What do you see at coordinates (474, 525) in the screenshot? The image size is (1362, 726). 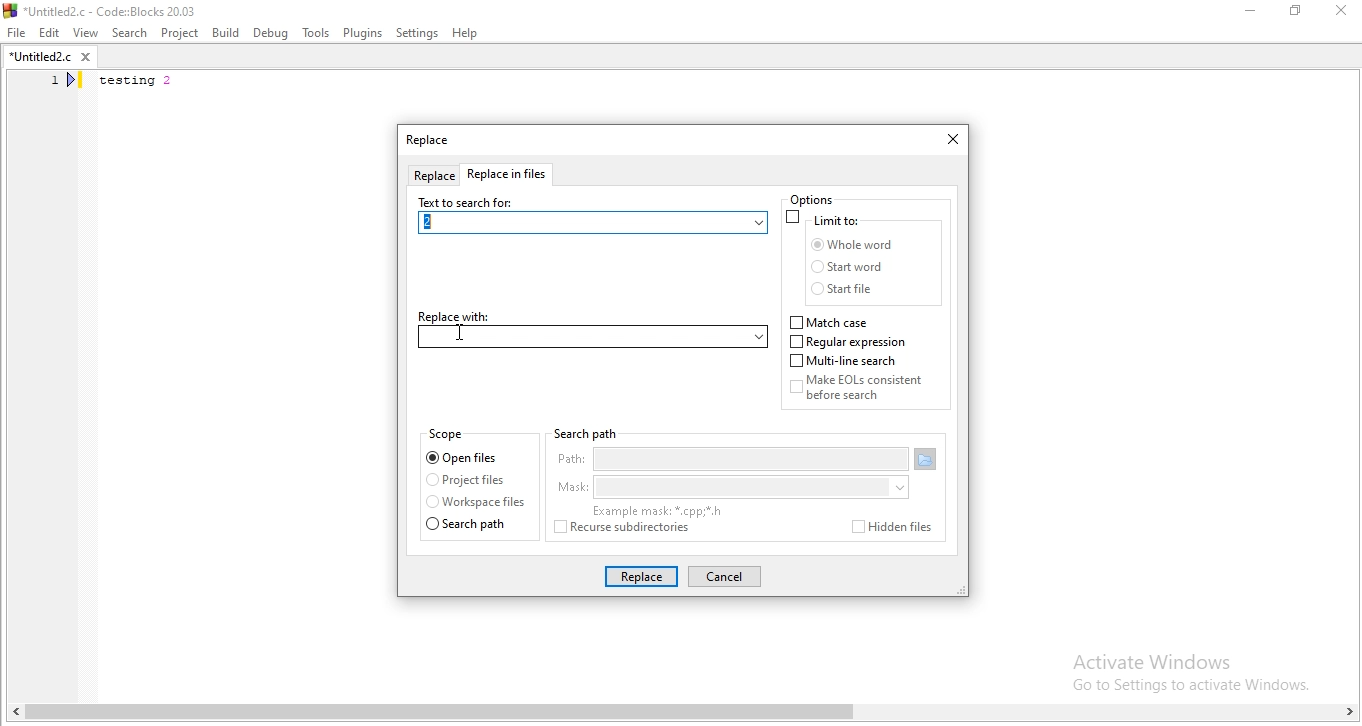 I see `search path` at bounding box center [474, 525].